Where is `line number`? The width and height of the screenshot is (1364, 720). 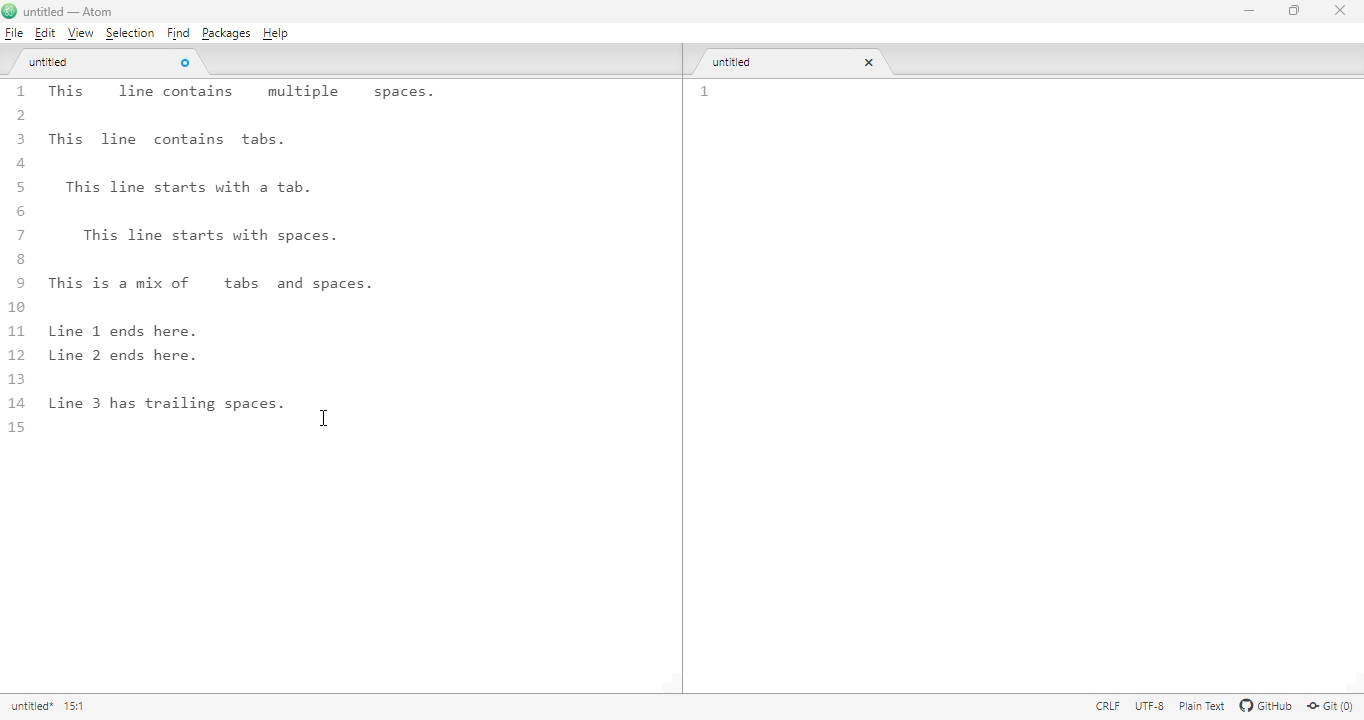
line number is located at coordinates (705, 92).